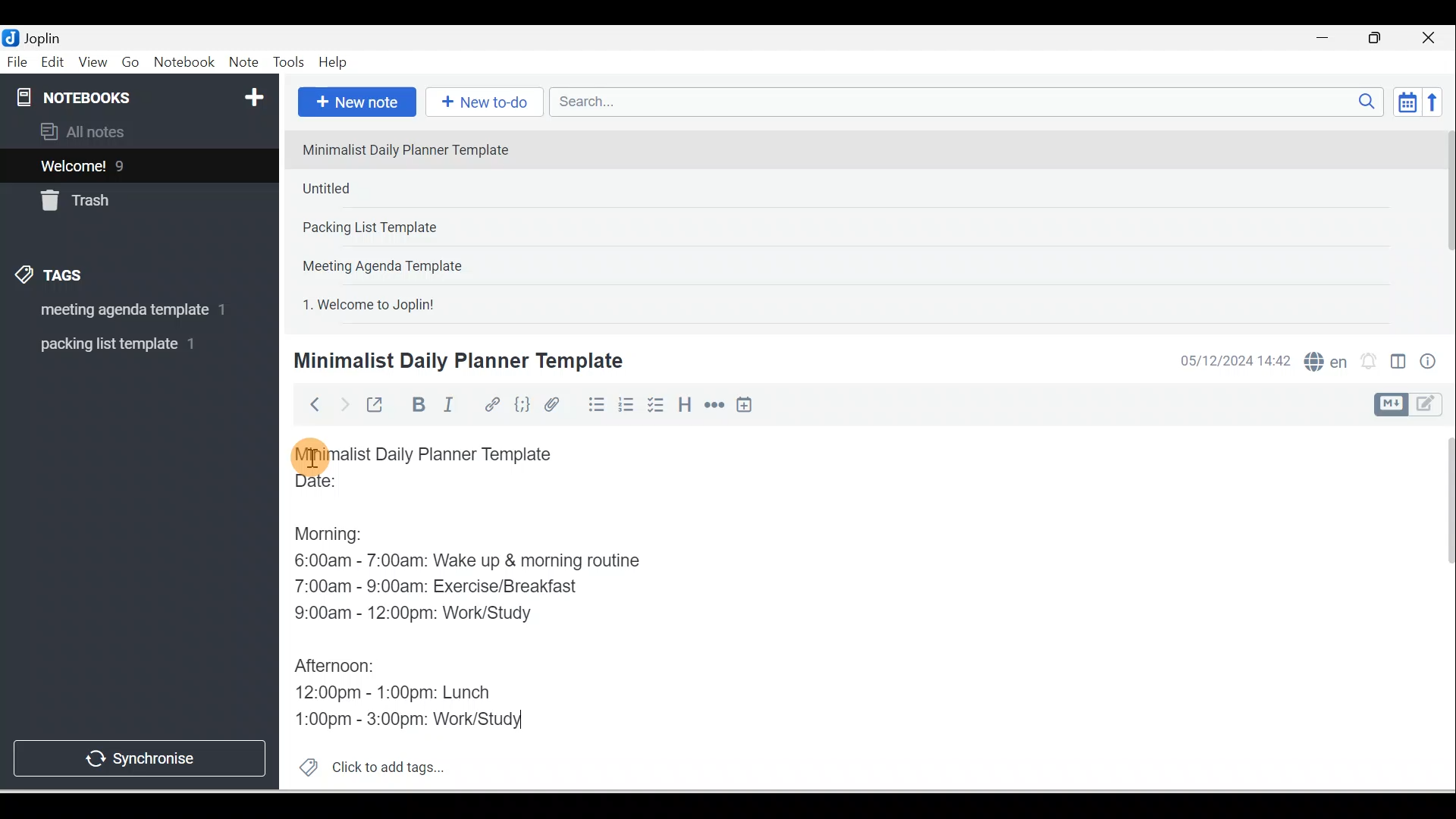 Image resolution: width=1456 pixels, height=819 pixels. I want to click on Minimalist Daily Planner Template, so click(438, 454).